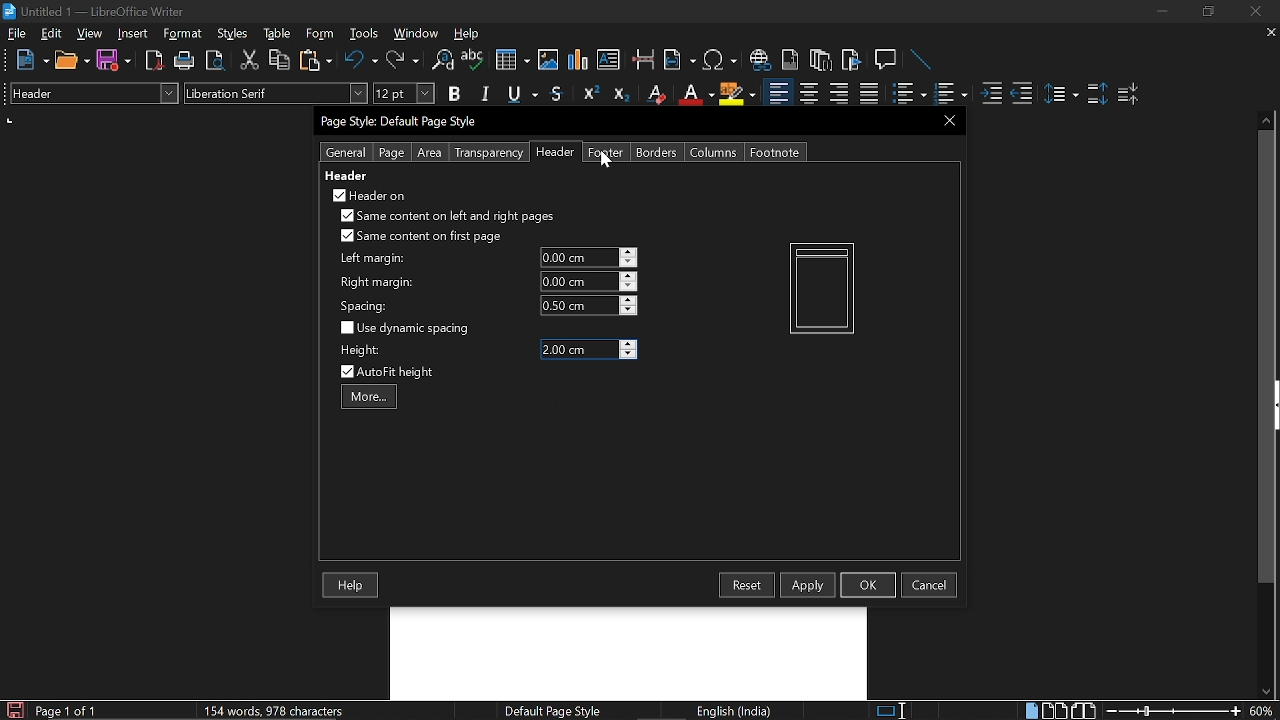 The height and width of the screenshot is (720, 1280). What do you see at coordinates (295, 710) in the screenshot?
I see `Word count` at bounding box center [295, 710].